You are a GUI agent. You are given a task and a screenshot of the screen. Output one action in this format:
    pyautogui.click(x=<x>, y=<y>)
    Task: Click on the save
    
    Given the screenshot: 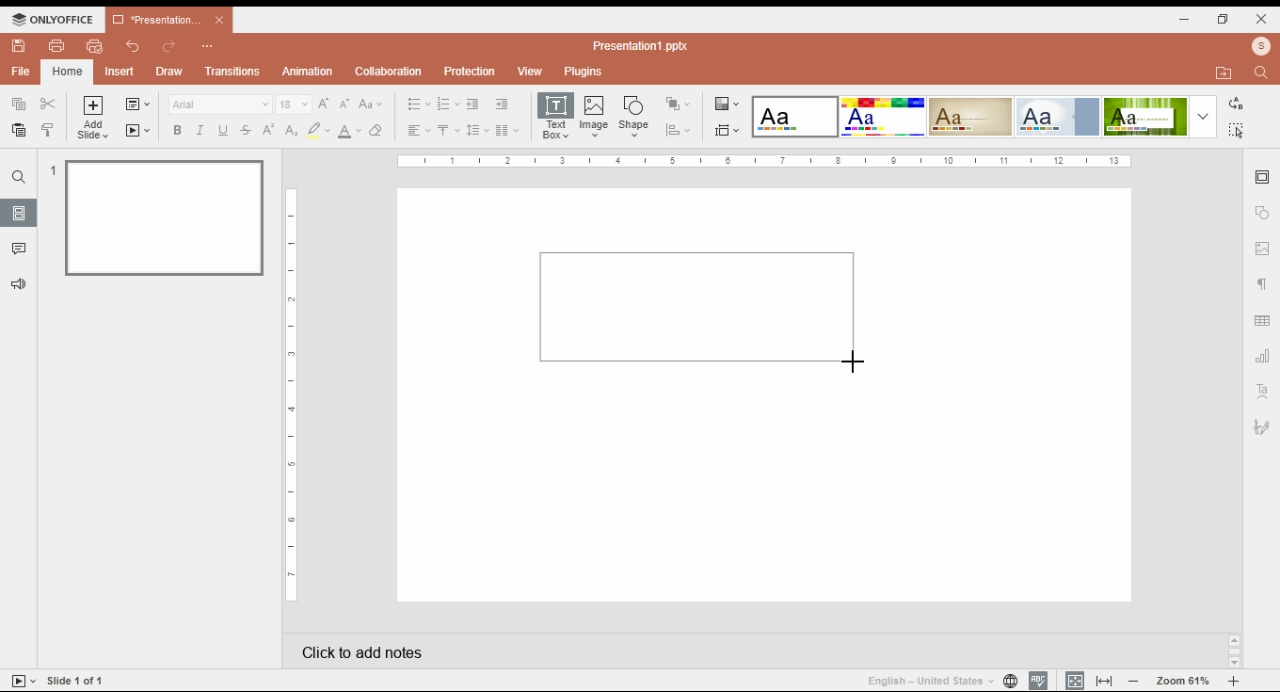 What is the action you would take?
    pyautogui.click(x=20, y=46)
    